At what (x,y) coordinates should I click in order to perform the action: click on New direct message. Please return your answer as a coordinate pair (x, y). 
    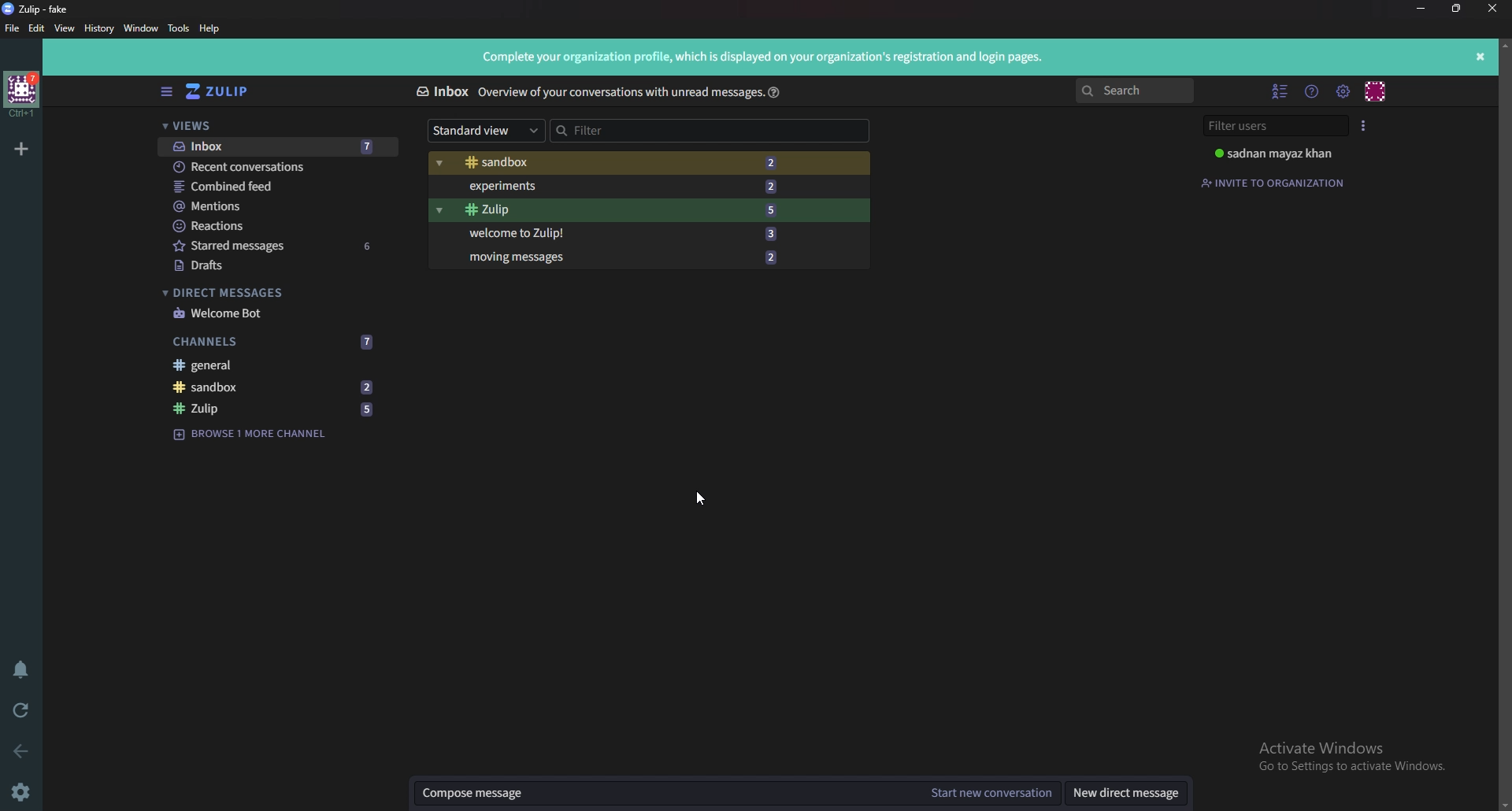
    Looking at the image, I should click on (1125, 793).